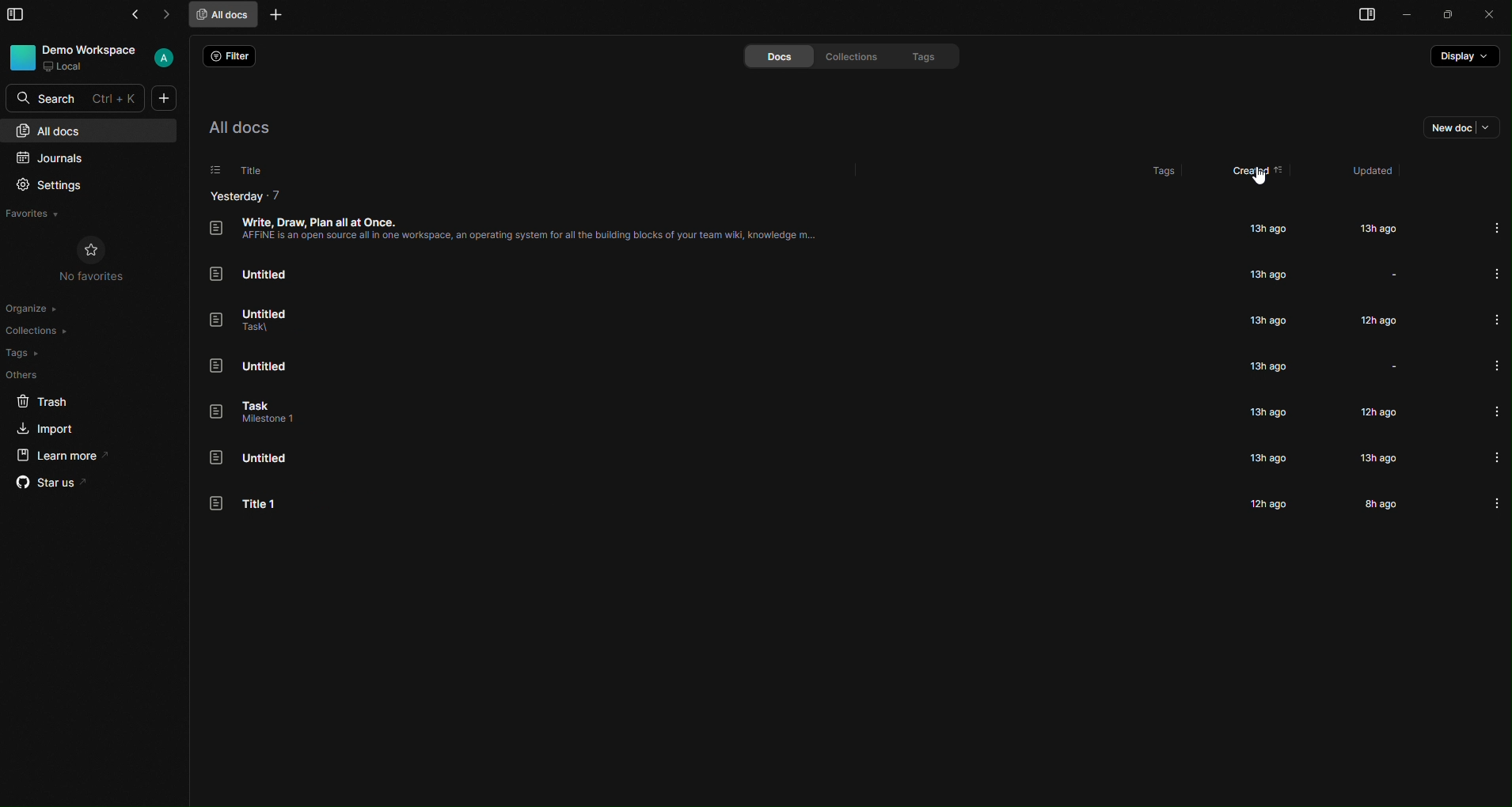 The height and width of the screenshot is (807, 1512). What do you see at coordinates (1266, 273) in the screenshot?
I see `13h ago` at bounding box center [1266, 273].